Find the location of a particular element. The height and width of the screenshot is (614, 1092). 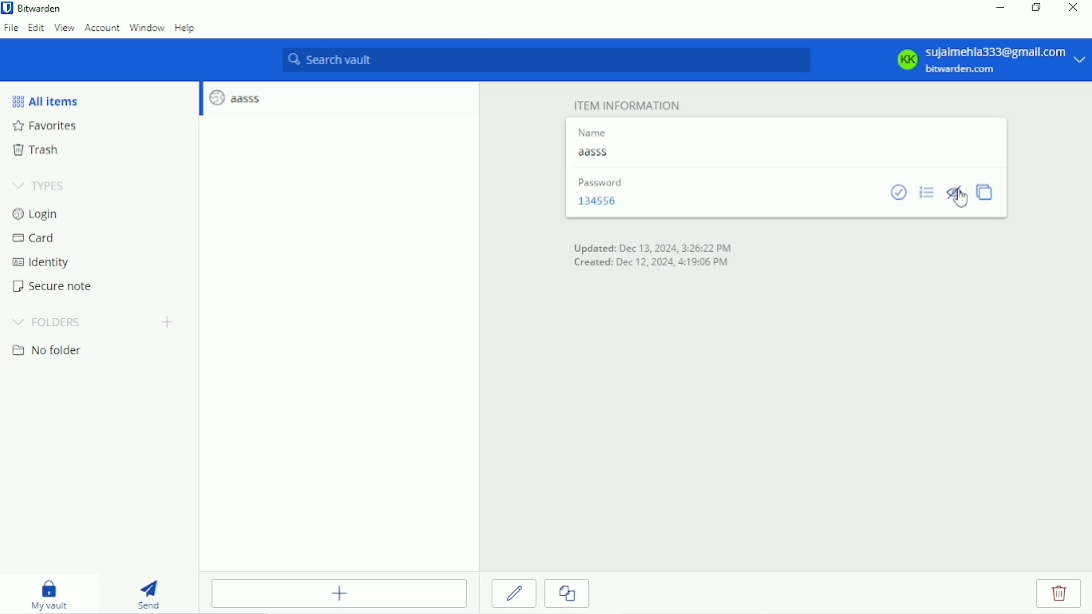

View is located at coordinates (64, 30).